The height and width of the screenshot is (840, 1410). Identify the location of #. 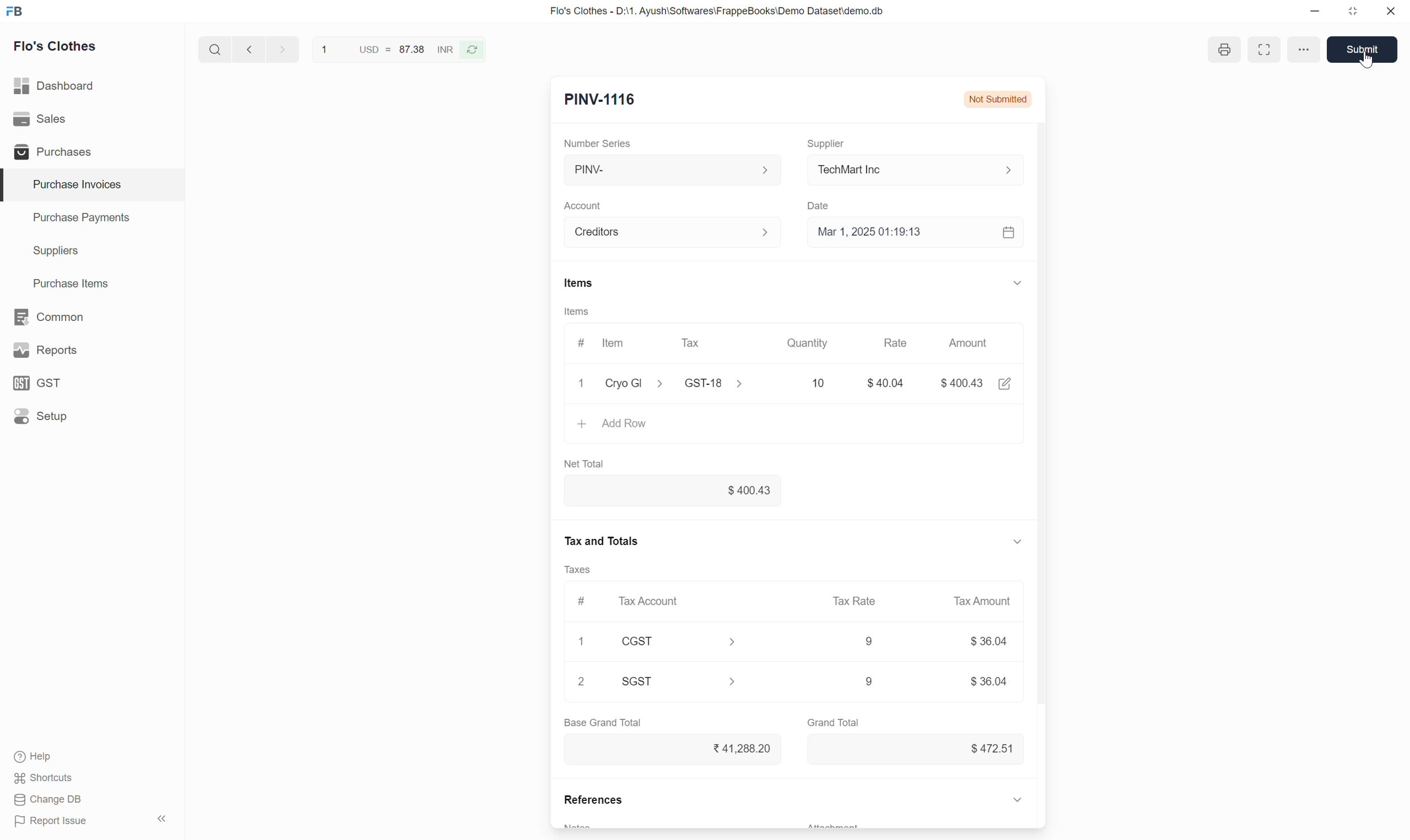
(580, 340).